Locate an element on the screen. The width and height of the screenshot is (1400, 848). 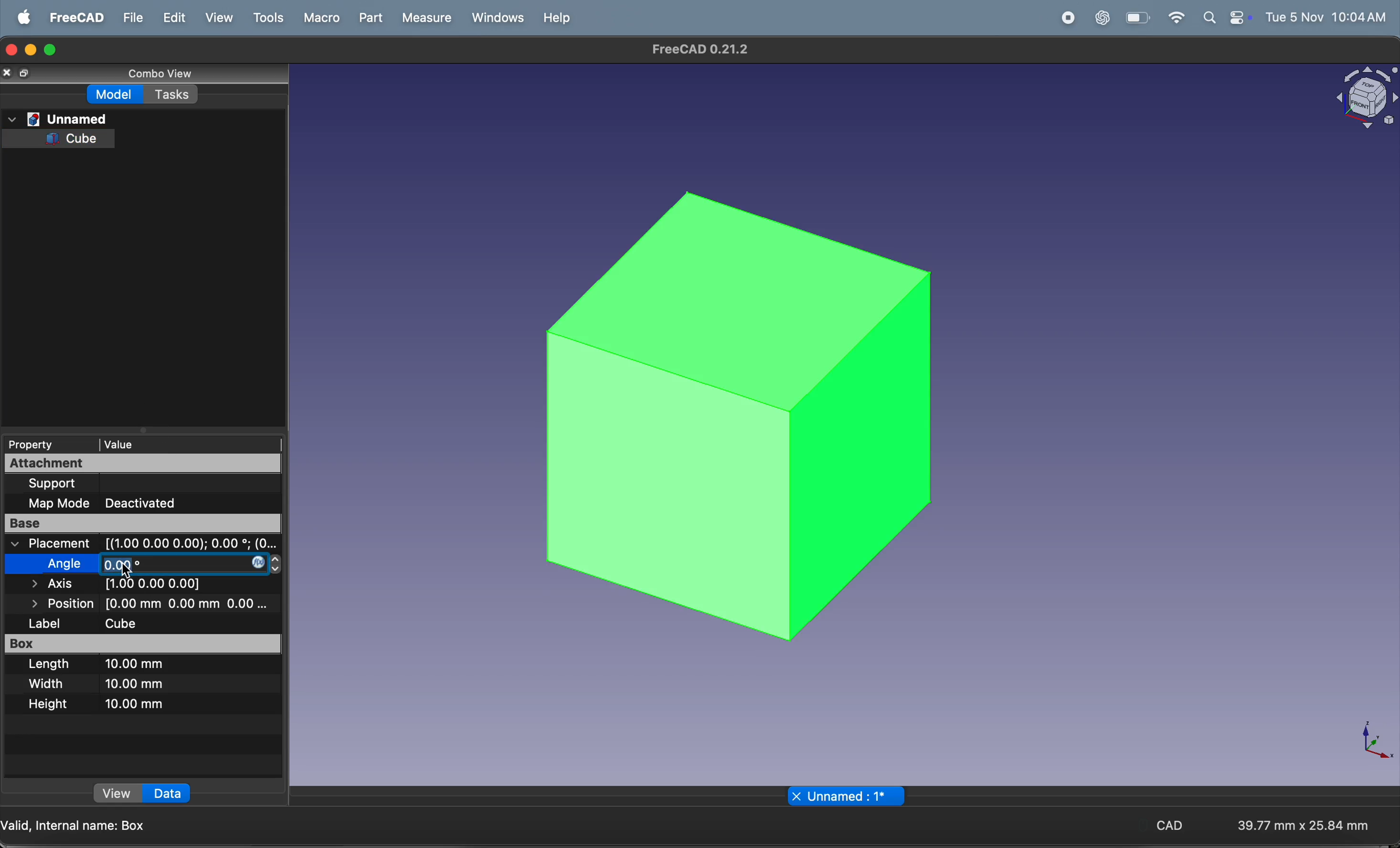
lenghth is located at coordinates (48, 666).